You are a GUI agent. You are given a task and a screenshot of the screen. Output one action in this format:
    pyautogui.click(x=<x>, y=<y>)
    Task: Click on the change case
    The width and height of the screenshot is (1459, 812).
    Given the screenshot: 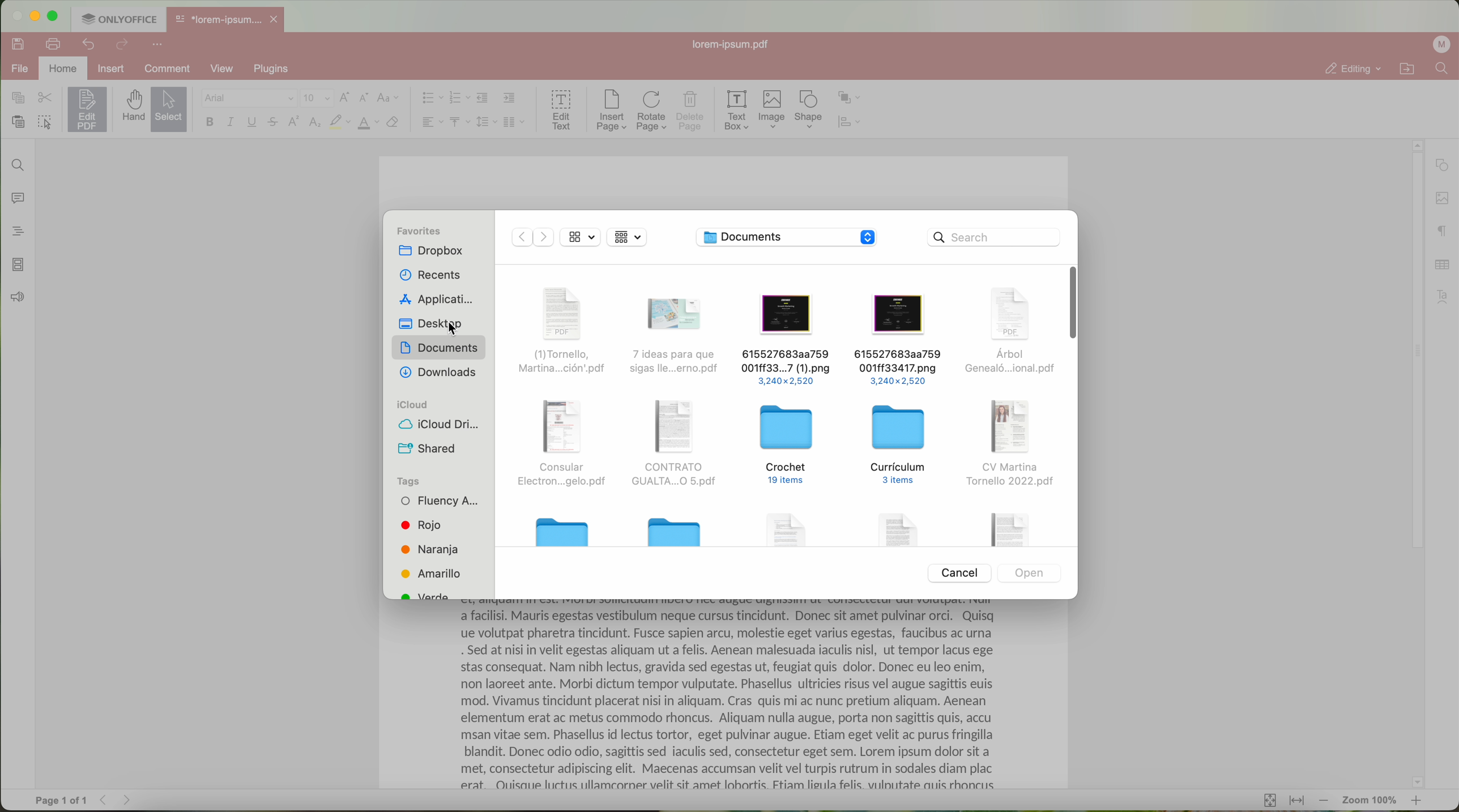 What is the action you would take?
    pyautogui.click(x=387, y=98)
    